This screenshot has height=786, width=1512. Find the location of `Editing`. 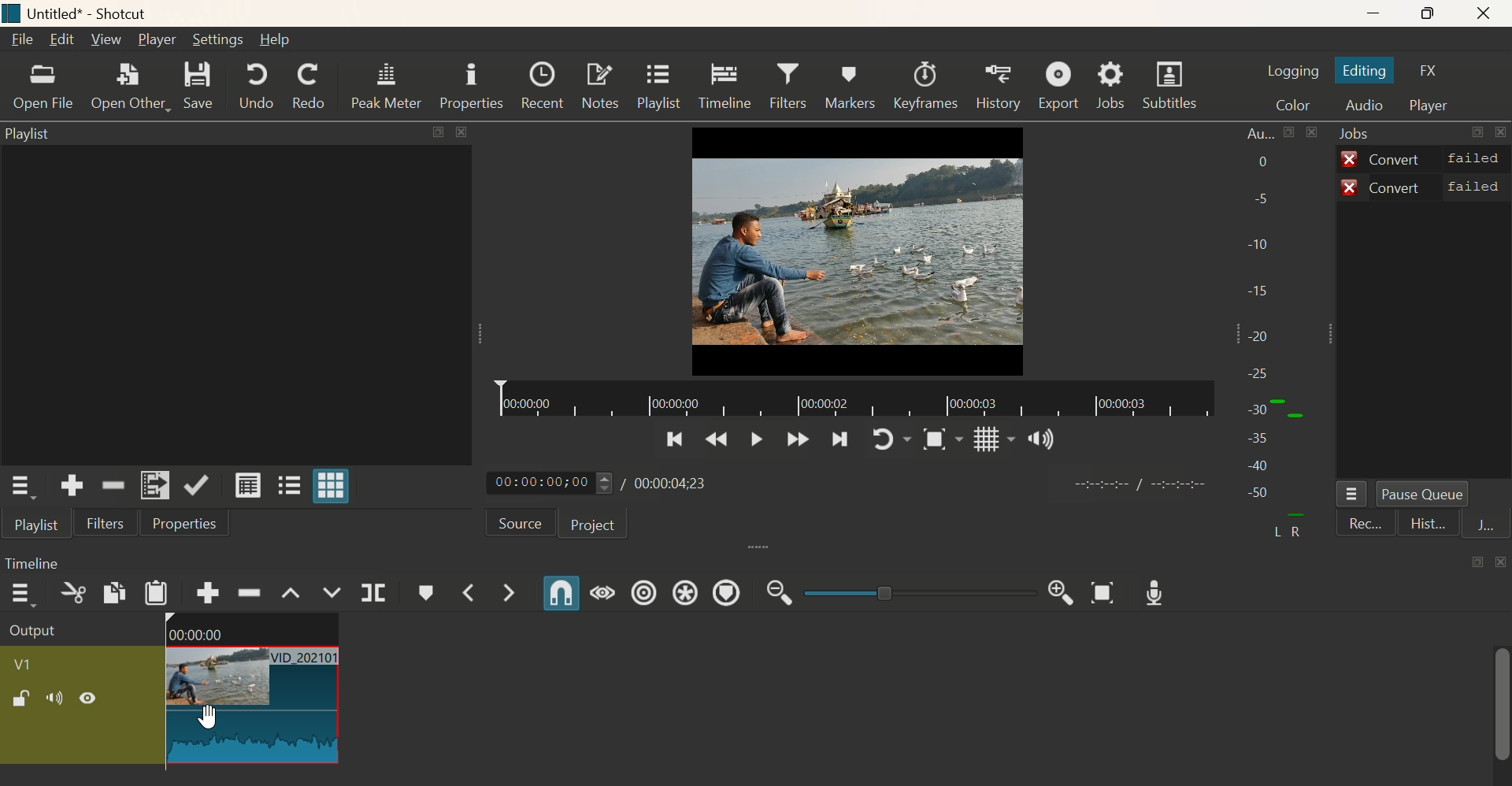

Editing is located at coordinates (1370, 72).